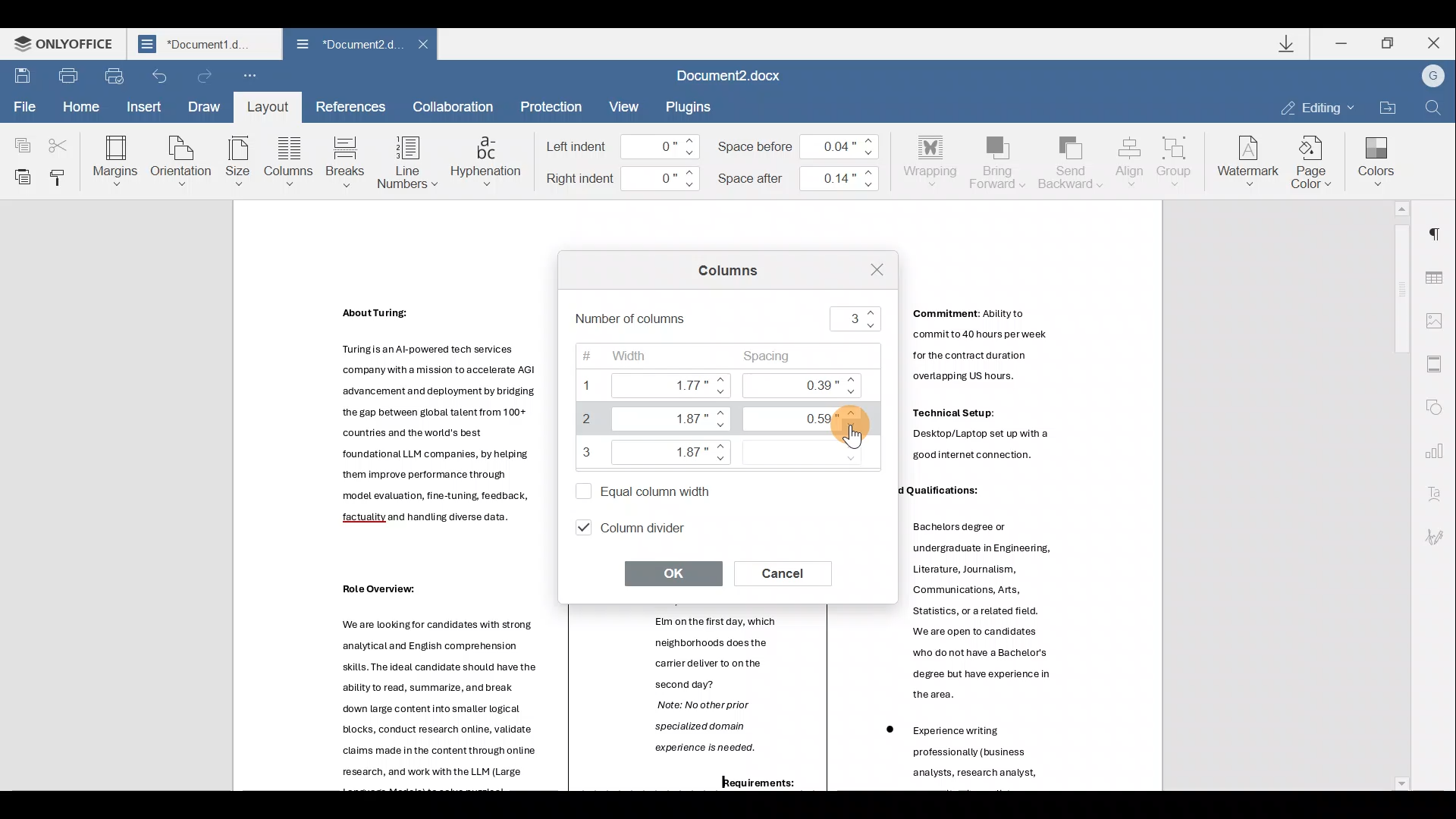 The image size is (1456, 819). Describe the element at coordinates (424, 431) in the screenshot. I see `` at that location.